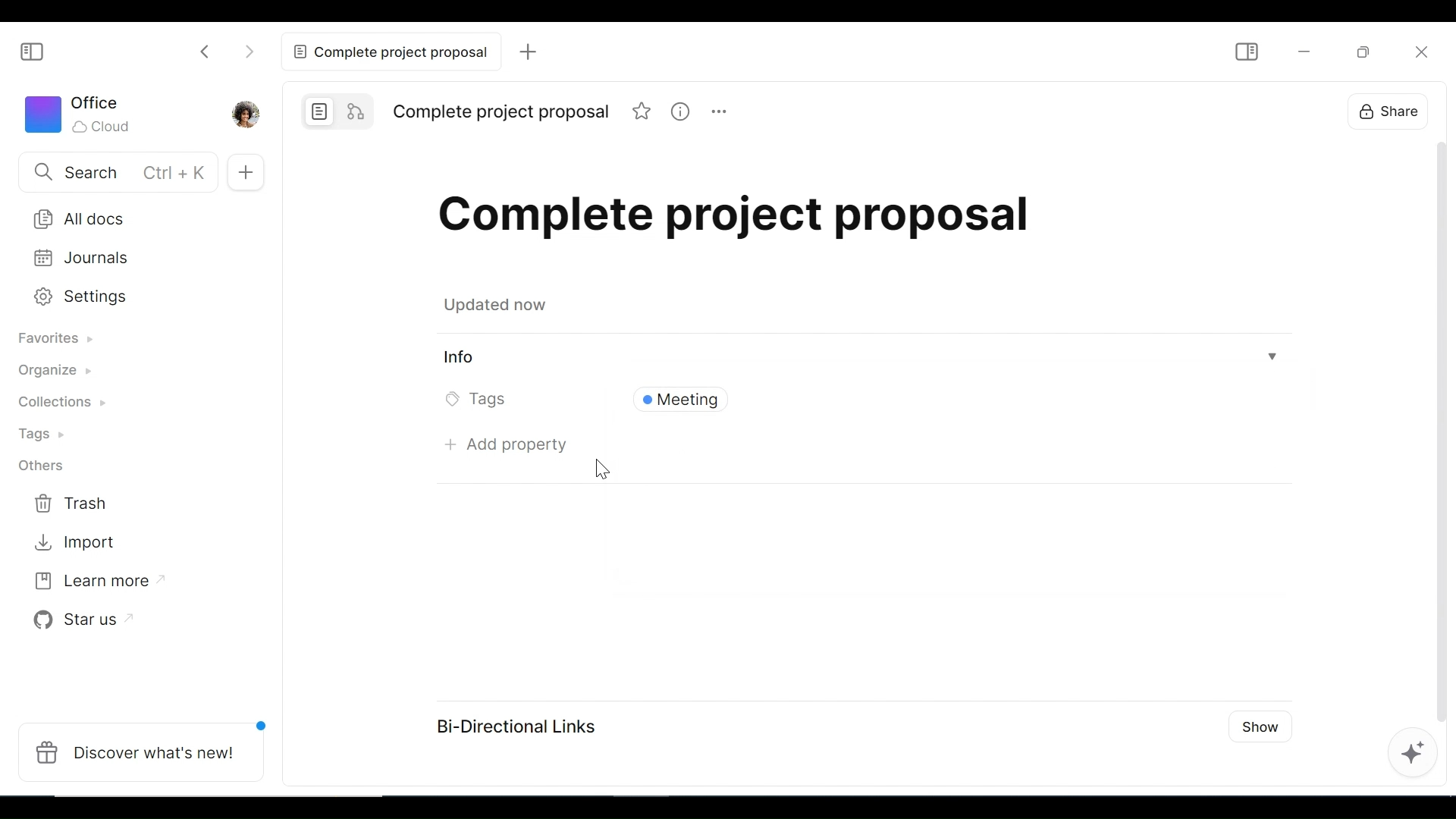  I want to click on Collections, so click(71, 404).